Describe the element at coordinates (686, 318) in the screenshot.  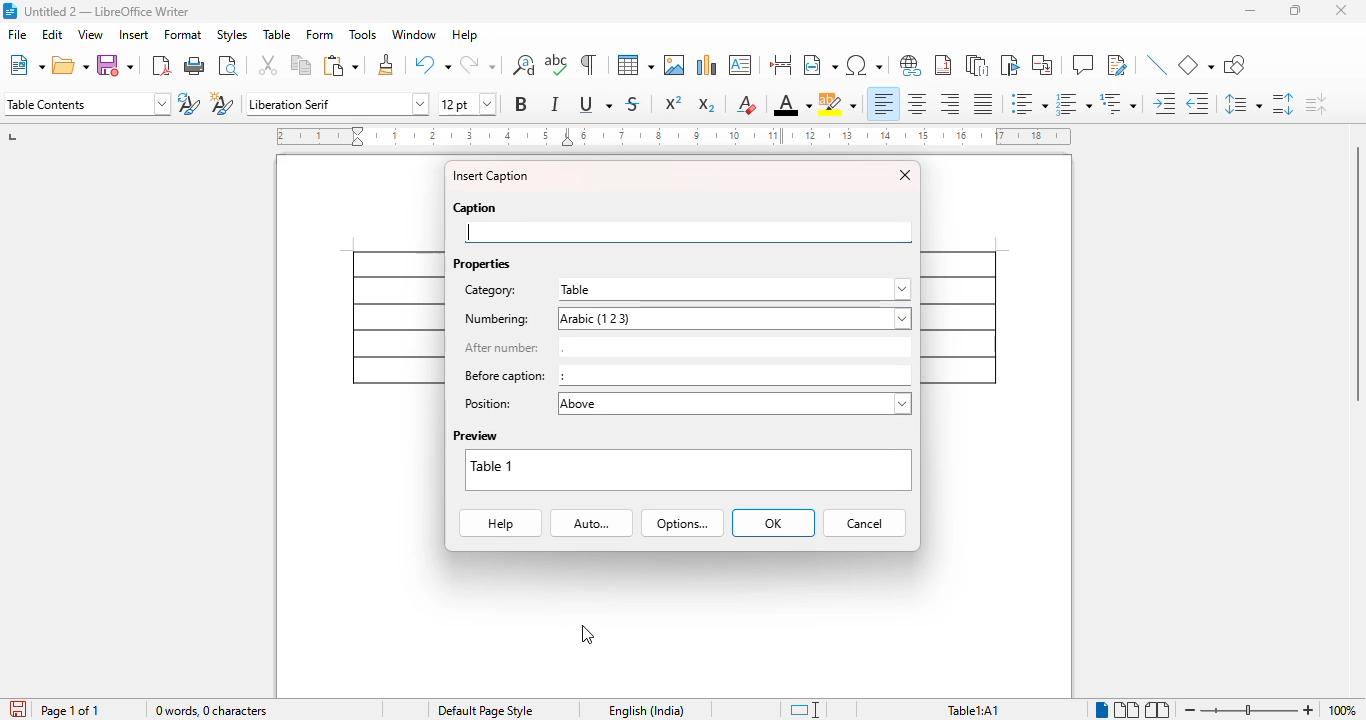
I see `numbering: arabic (1, 2, 3)` at that location.